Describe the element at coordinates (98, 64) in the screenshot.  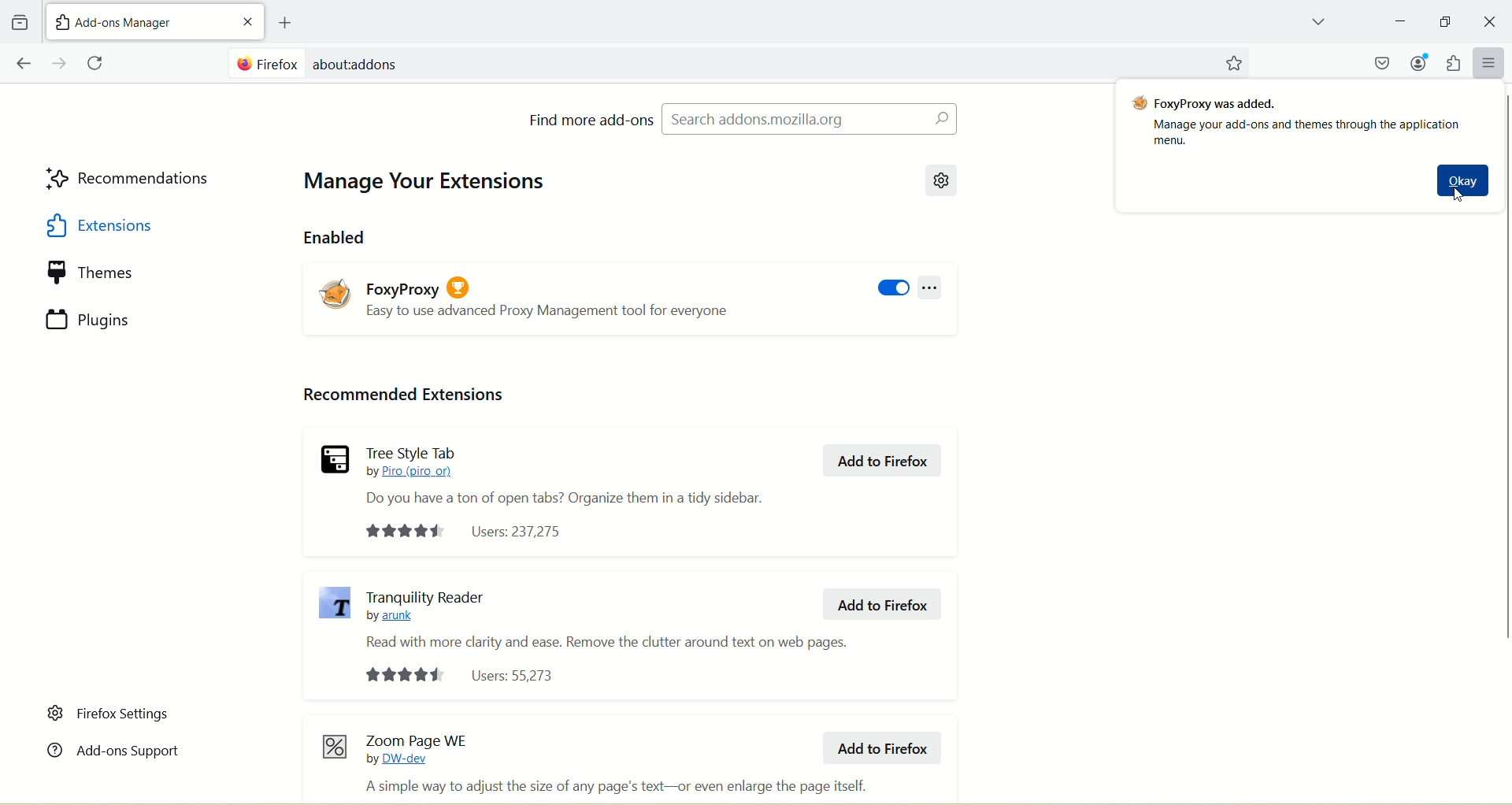
I see `Refresh` at that location.